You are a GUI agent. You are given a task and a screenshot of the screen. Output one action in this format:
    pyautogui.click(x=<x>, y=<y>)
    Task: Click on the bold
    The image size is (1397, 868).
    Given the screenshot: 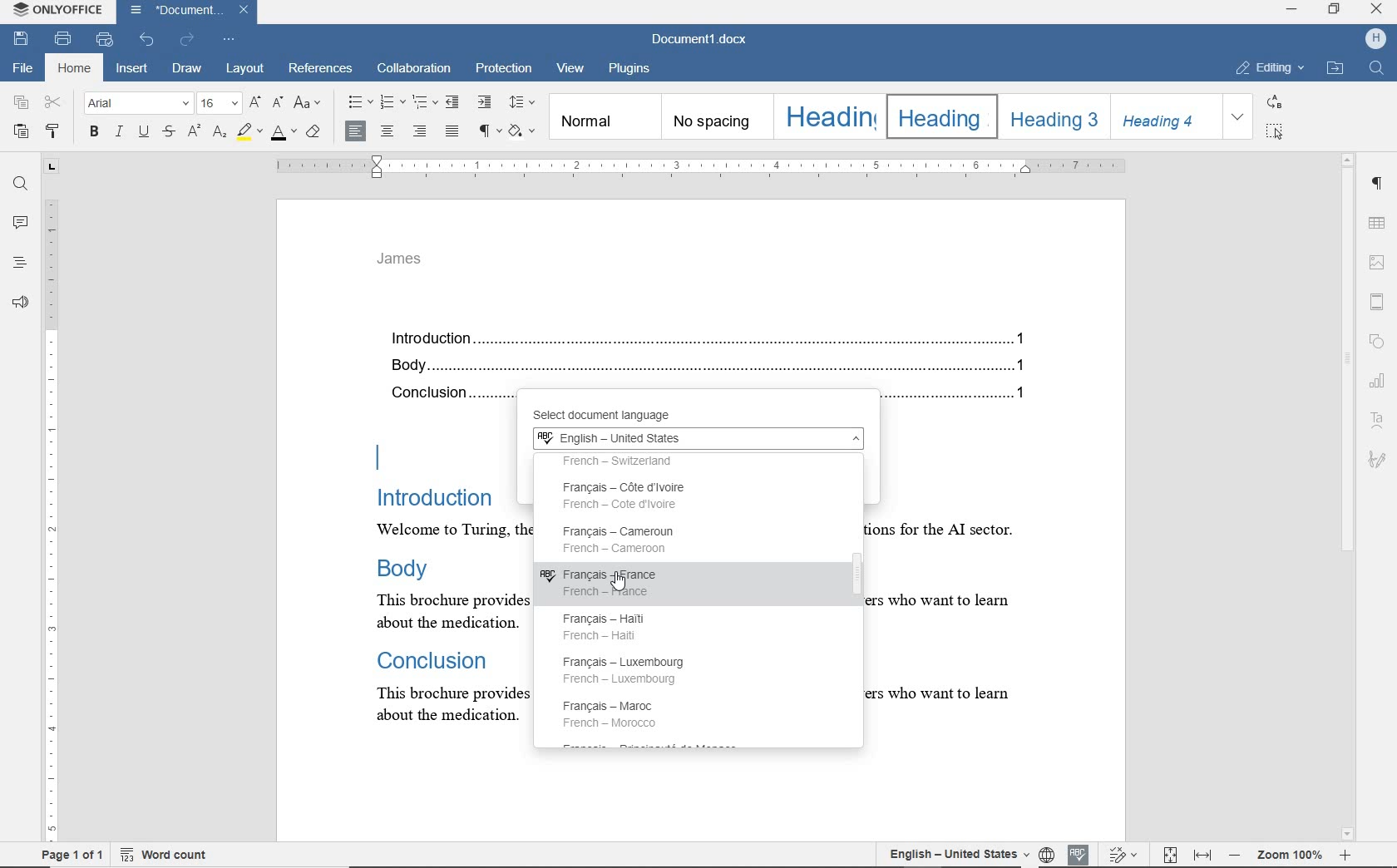 What is the action you would take?
    pyautogui.click(x=93, y=133)
    